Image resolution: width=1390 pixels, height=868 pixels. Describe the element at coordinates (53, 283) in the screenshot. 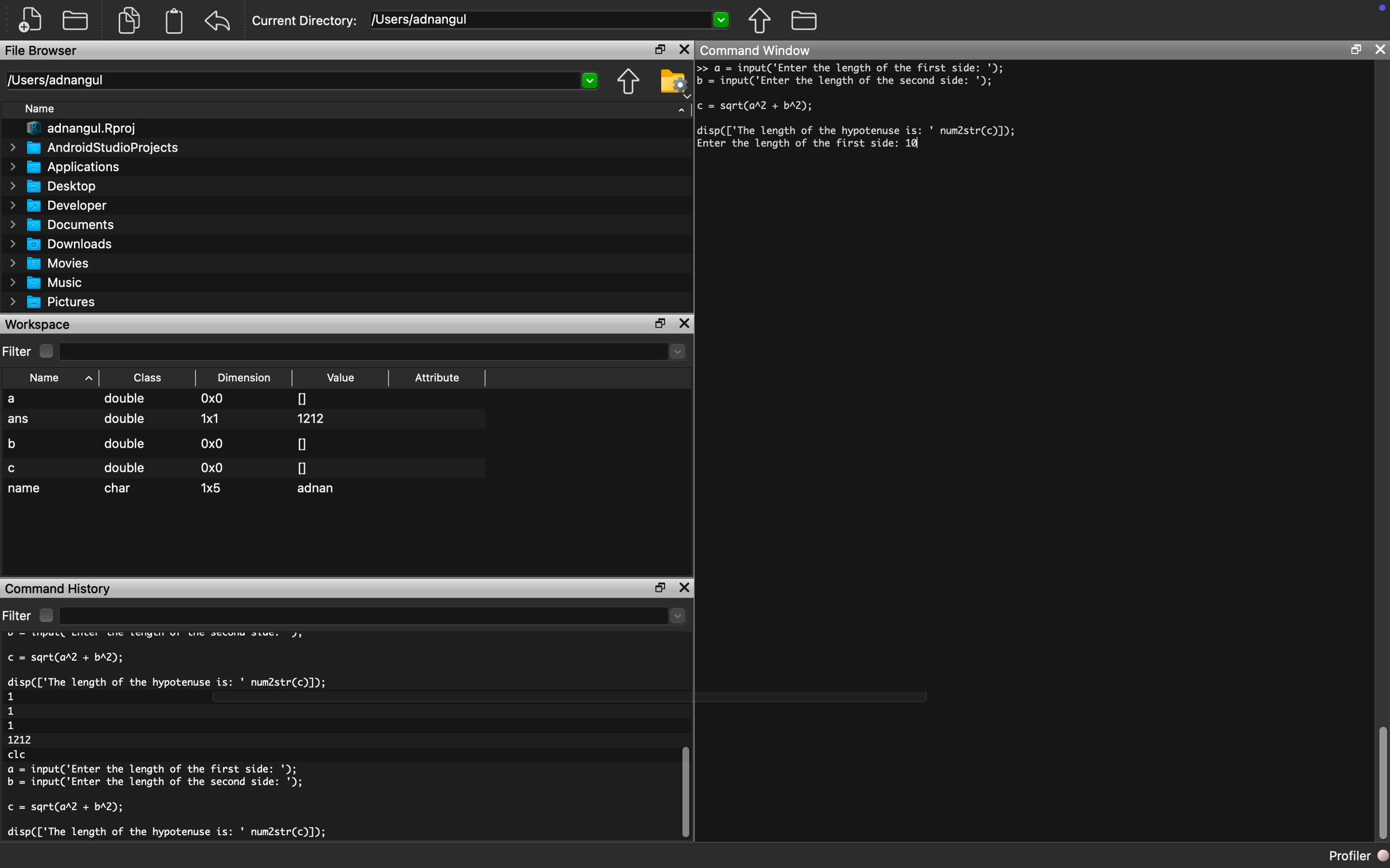

I see `Music` at that location.